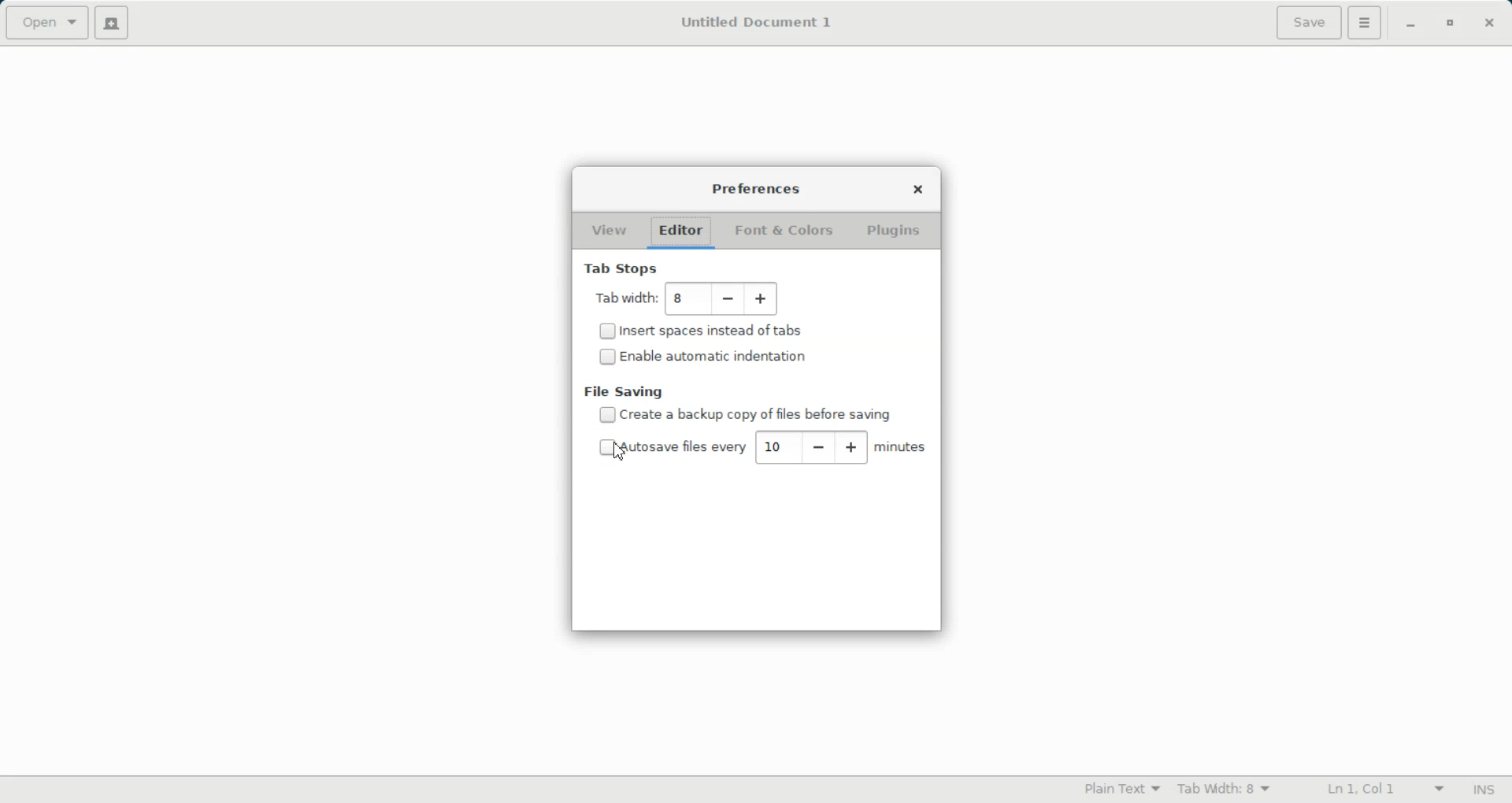 The width and height of the screenshot is (1512, 803). I want to click on Close, so click(918, 191).